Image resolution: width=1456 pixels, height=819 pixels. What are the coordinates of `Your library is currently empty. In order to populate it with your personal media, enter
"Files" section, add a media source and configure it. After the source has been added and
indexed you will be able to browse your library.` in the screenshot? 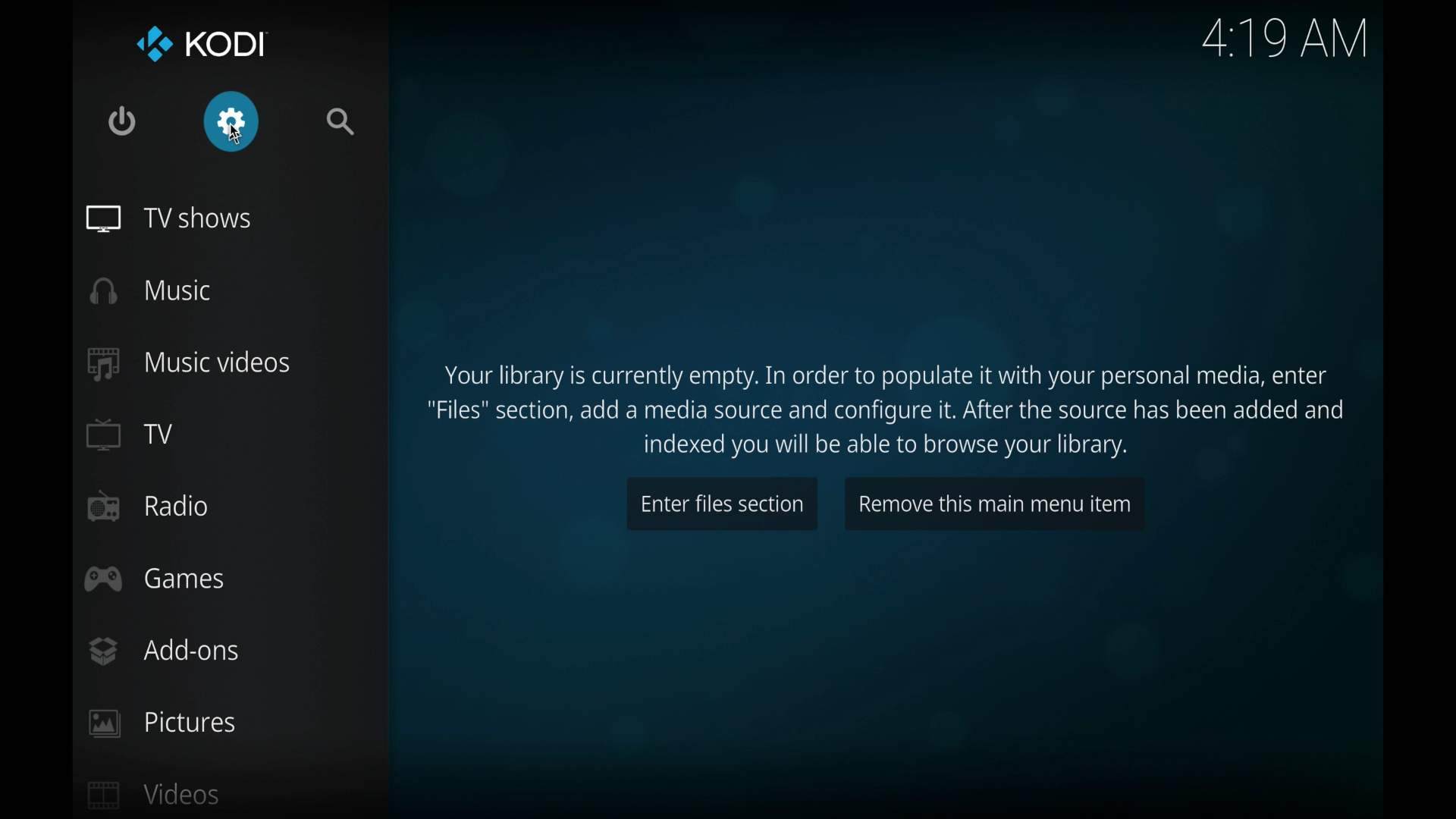 It's located at (889, 409).